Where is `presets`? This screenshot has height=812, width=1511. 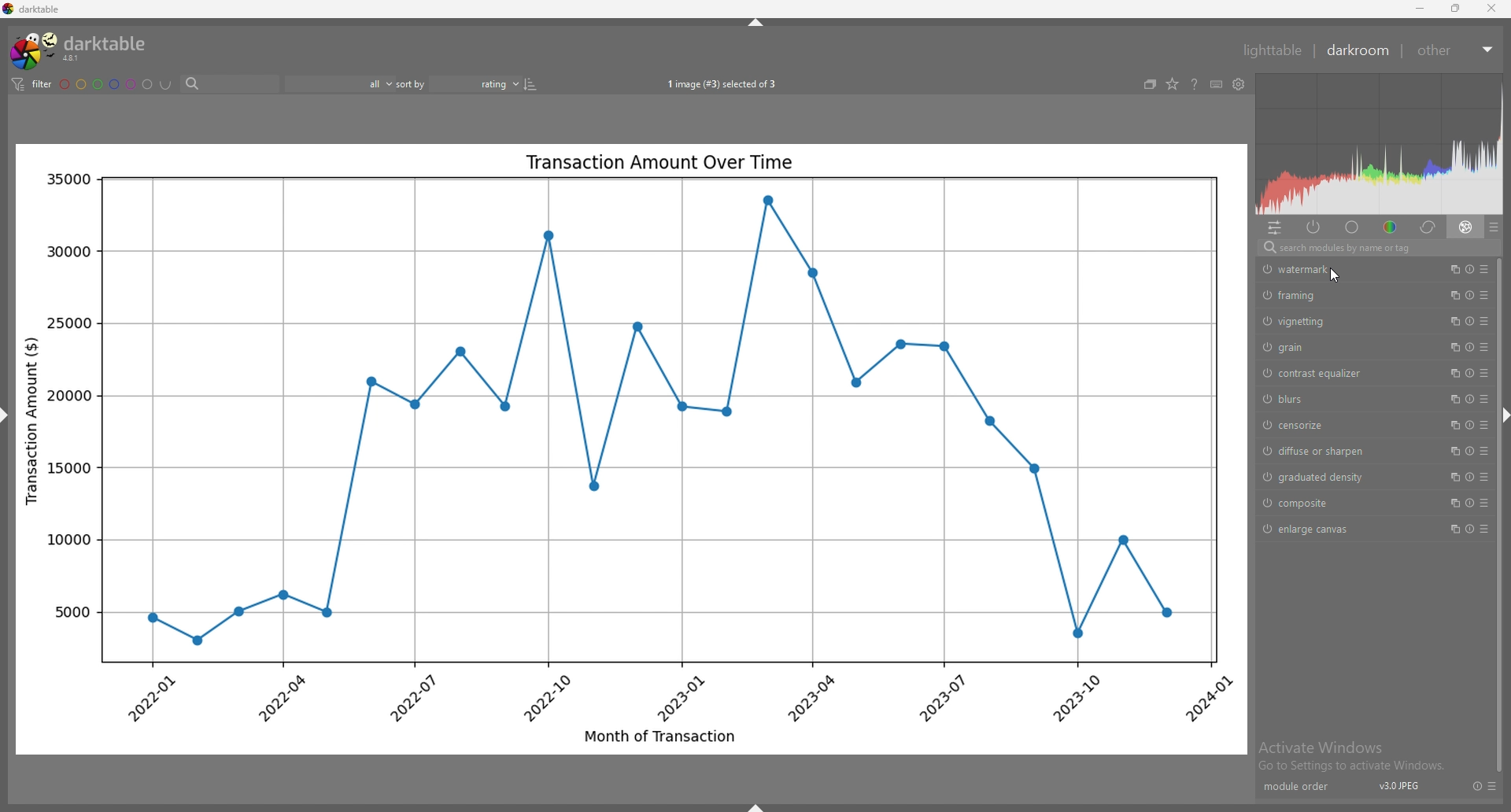 presets is located at coordinates (1485, 347).